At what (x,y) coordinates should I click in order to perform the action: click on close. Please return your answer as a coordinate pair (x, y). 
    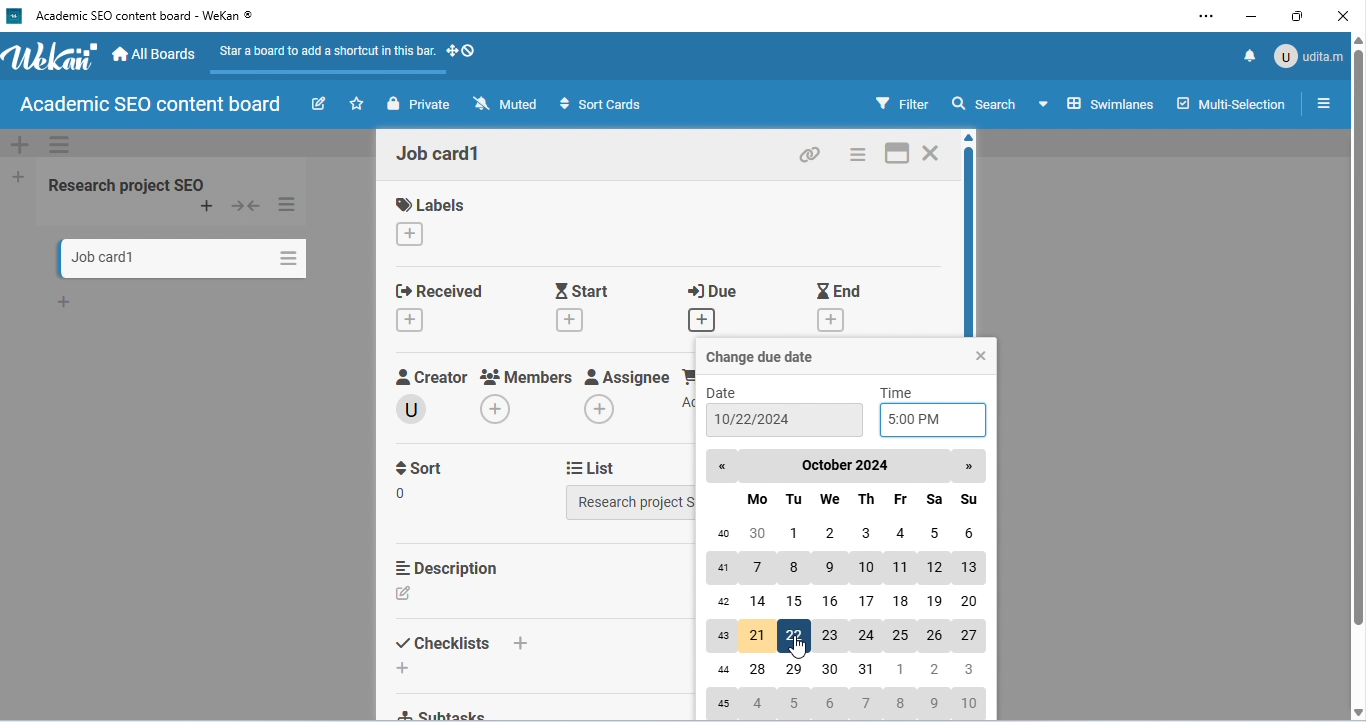
    Looking at the image, I should click on (1342, 17).